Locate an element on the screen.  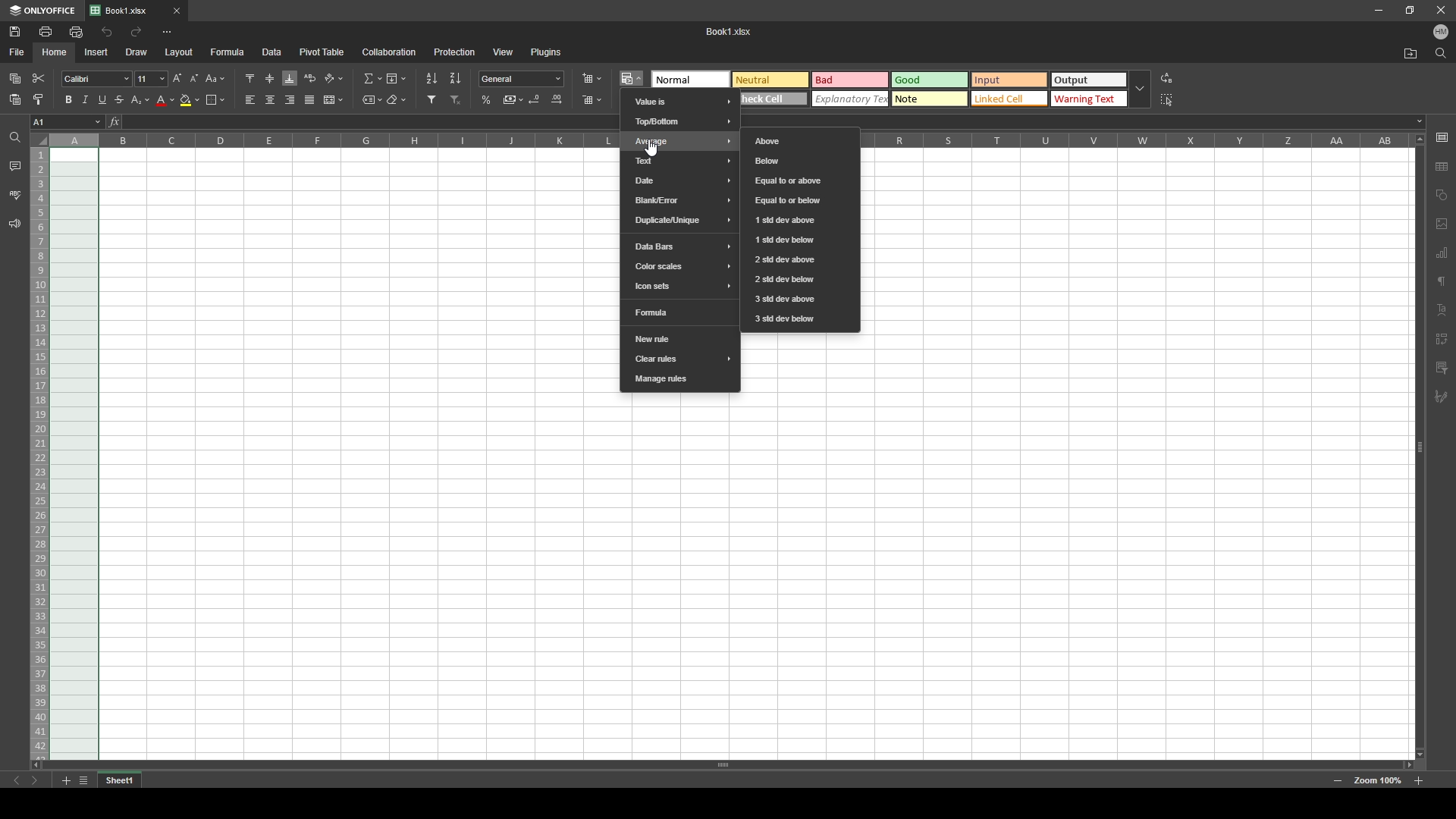
view is located at coordinates (504, 52).